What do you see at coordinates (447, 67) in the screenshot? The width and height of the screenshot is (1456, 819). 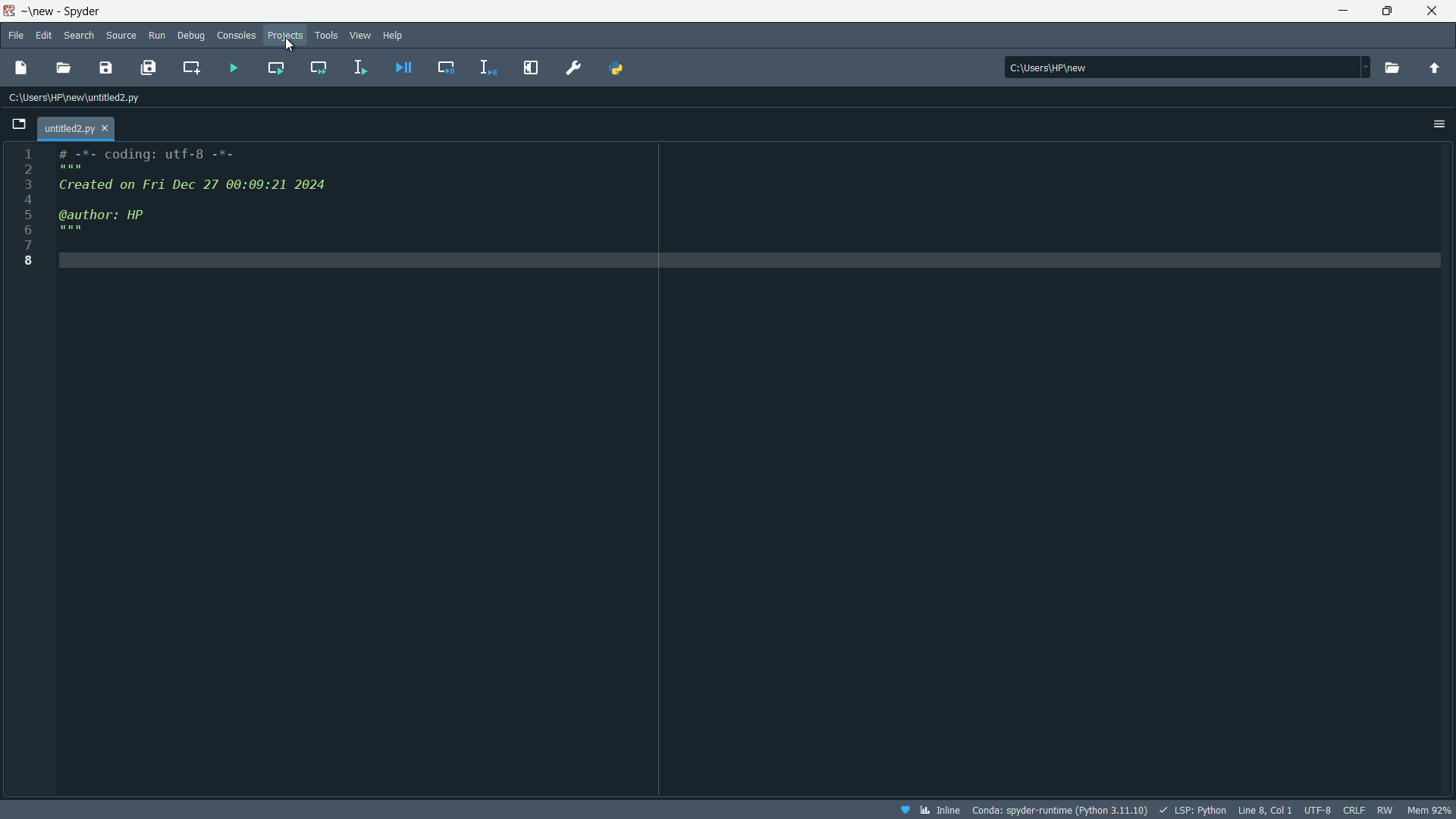 I see `Debug cell` at bounding box center [447, 67].